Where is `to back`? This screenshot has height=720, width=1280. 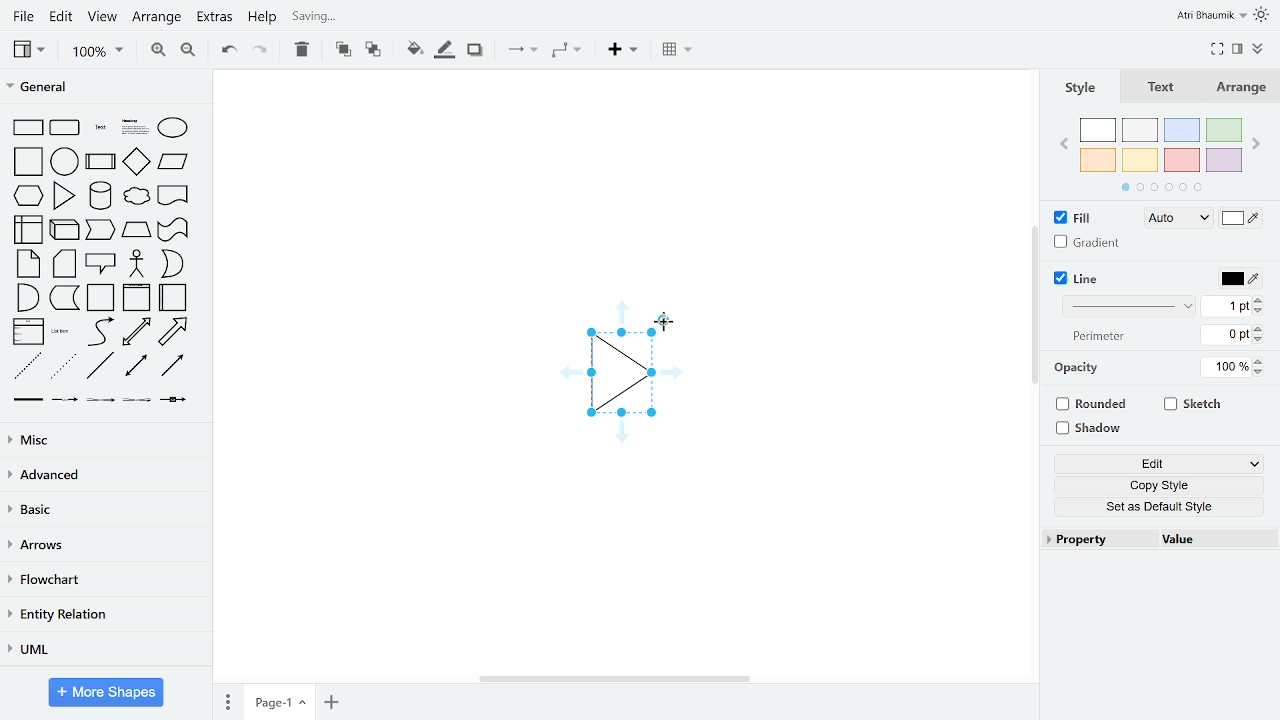 to back is located at coordinates (372, 49).